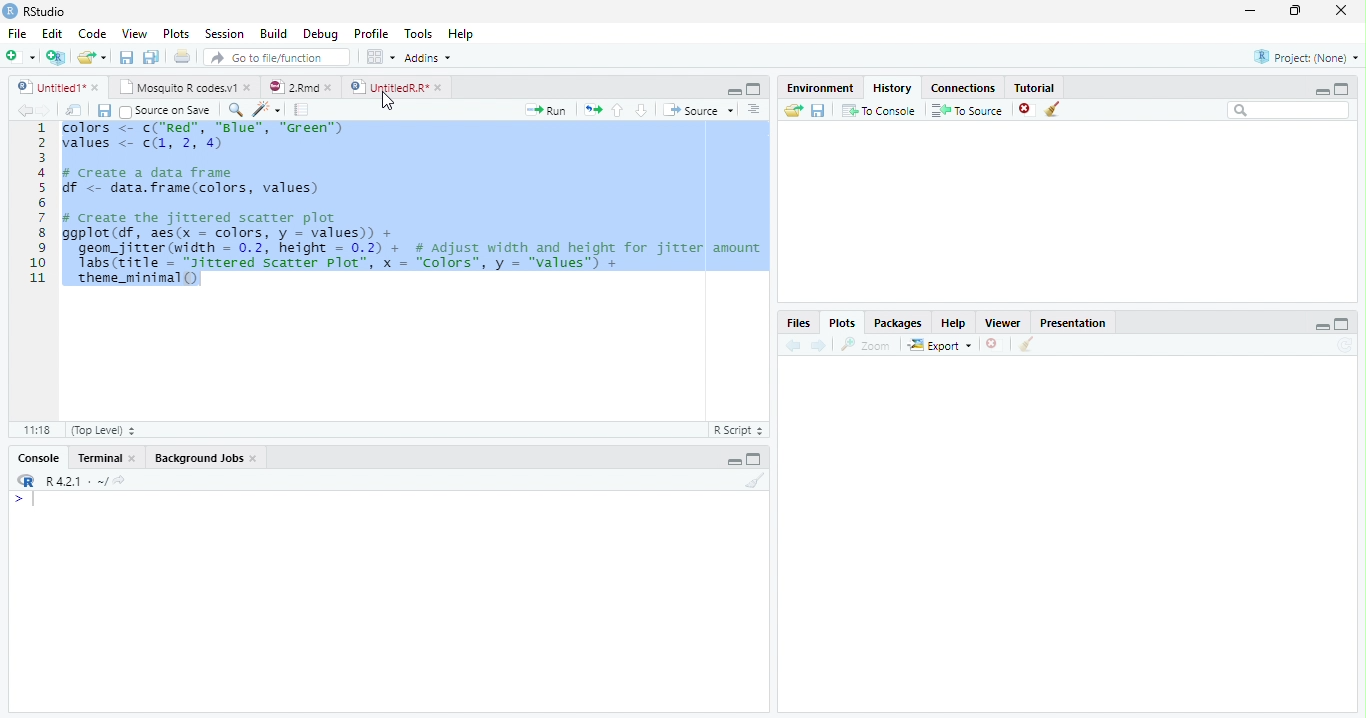 The width and height of the screenshot is (1366, 718). Describe the element at coordinates (1345, 345) in the screenshot. I see `Refresh current plot` at that location.